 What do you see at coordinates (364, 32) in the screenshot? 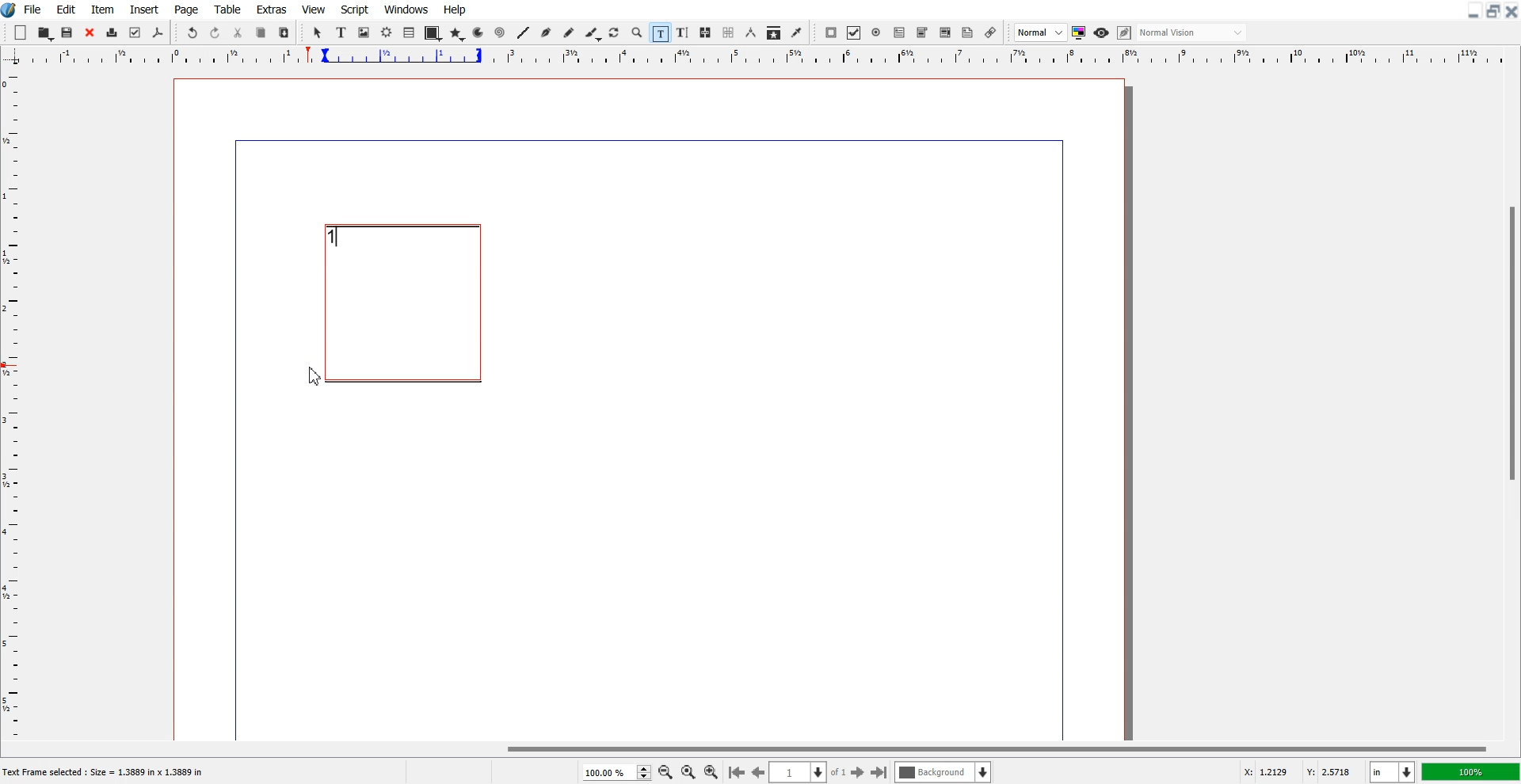
I see `Image Frame` at bounding box center [364, 32].